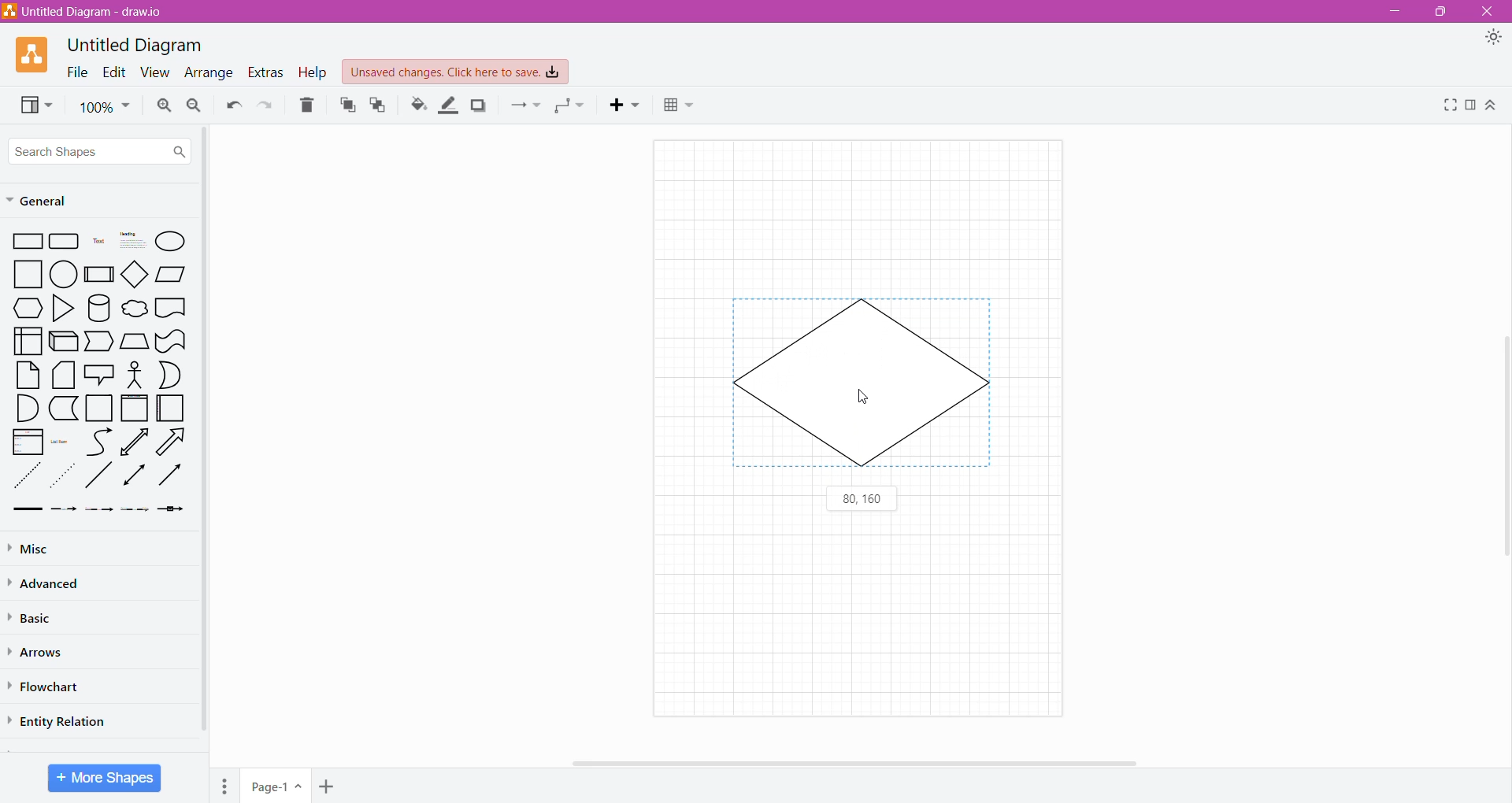 This screenshot has width=1512, height=803. What do you see at coordinates (152, 73) in the screenshot?
I see `View` at bounding box center [152, 73].